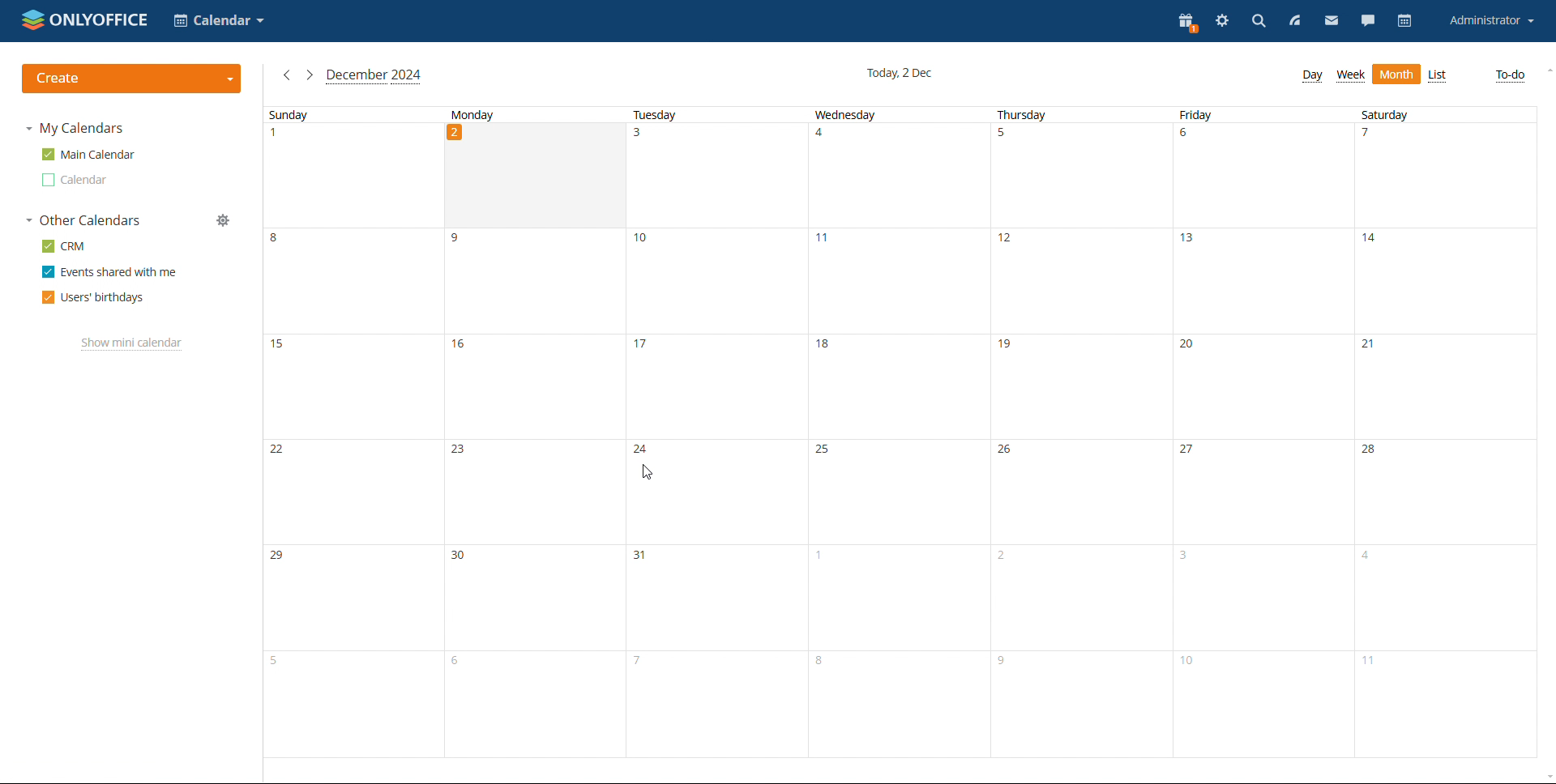 The image size is (1556, 784). What do you see at coordinates (1009, 349) in the screenshot?
I see `19` at bounding box center [1009, 349].